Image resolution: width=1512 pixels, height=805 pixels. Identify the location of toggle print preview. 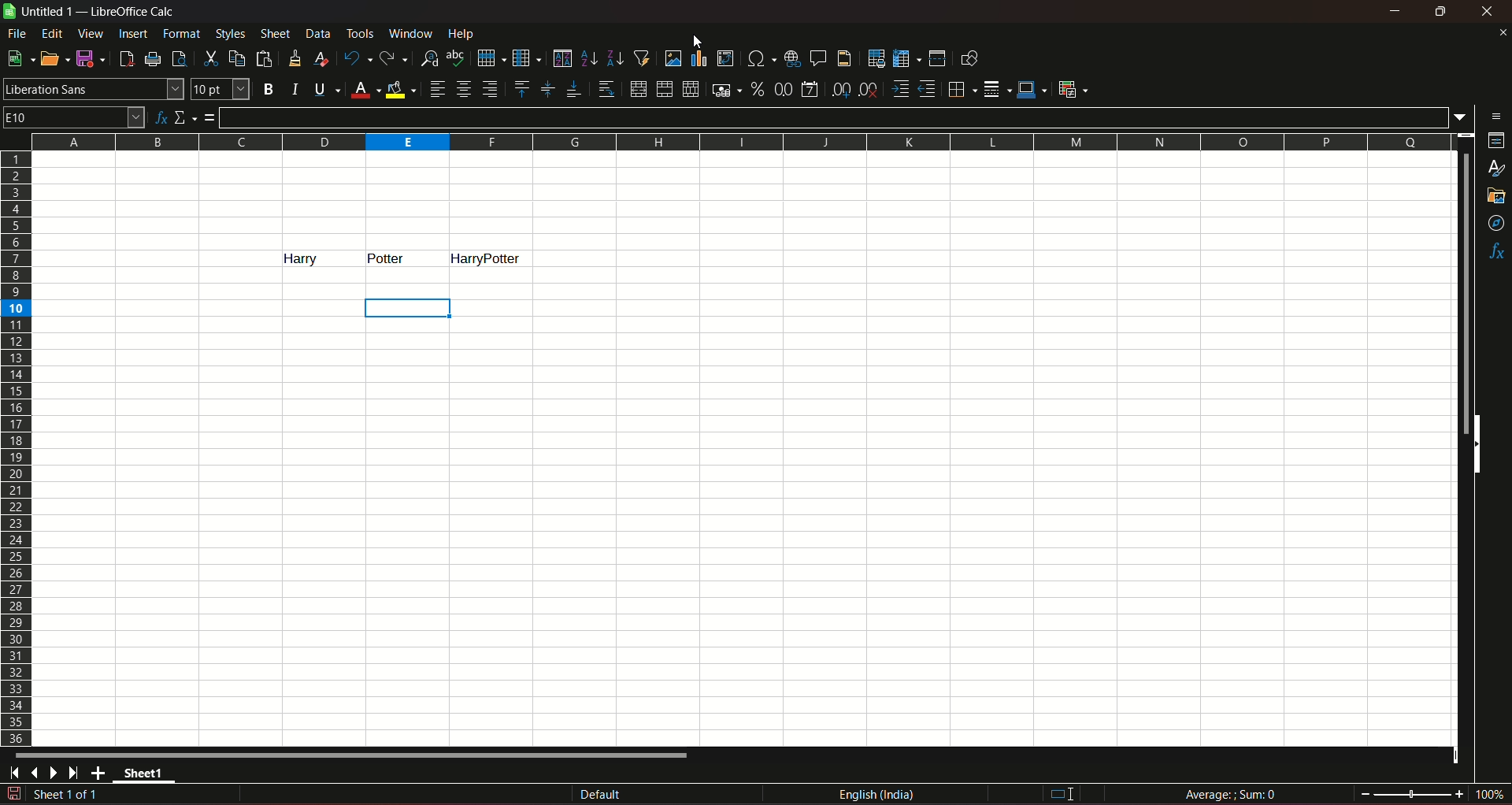
(177, 57).